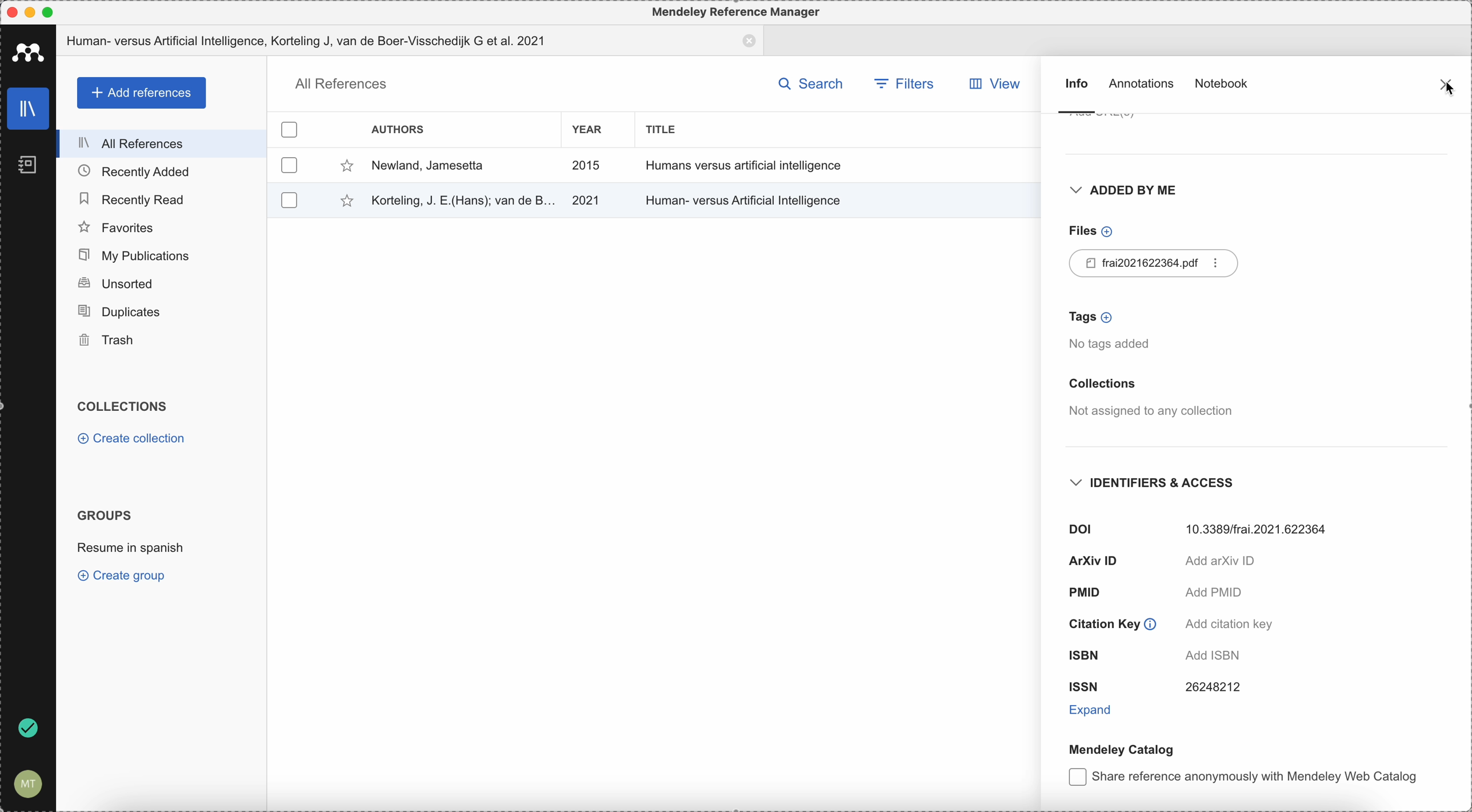  Describe the element at coordinates (1157, 263) in the screenshot. I see `pdf file` at that location.